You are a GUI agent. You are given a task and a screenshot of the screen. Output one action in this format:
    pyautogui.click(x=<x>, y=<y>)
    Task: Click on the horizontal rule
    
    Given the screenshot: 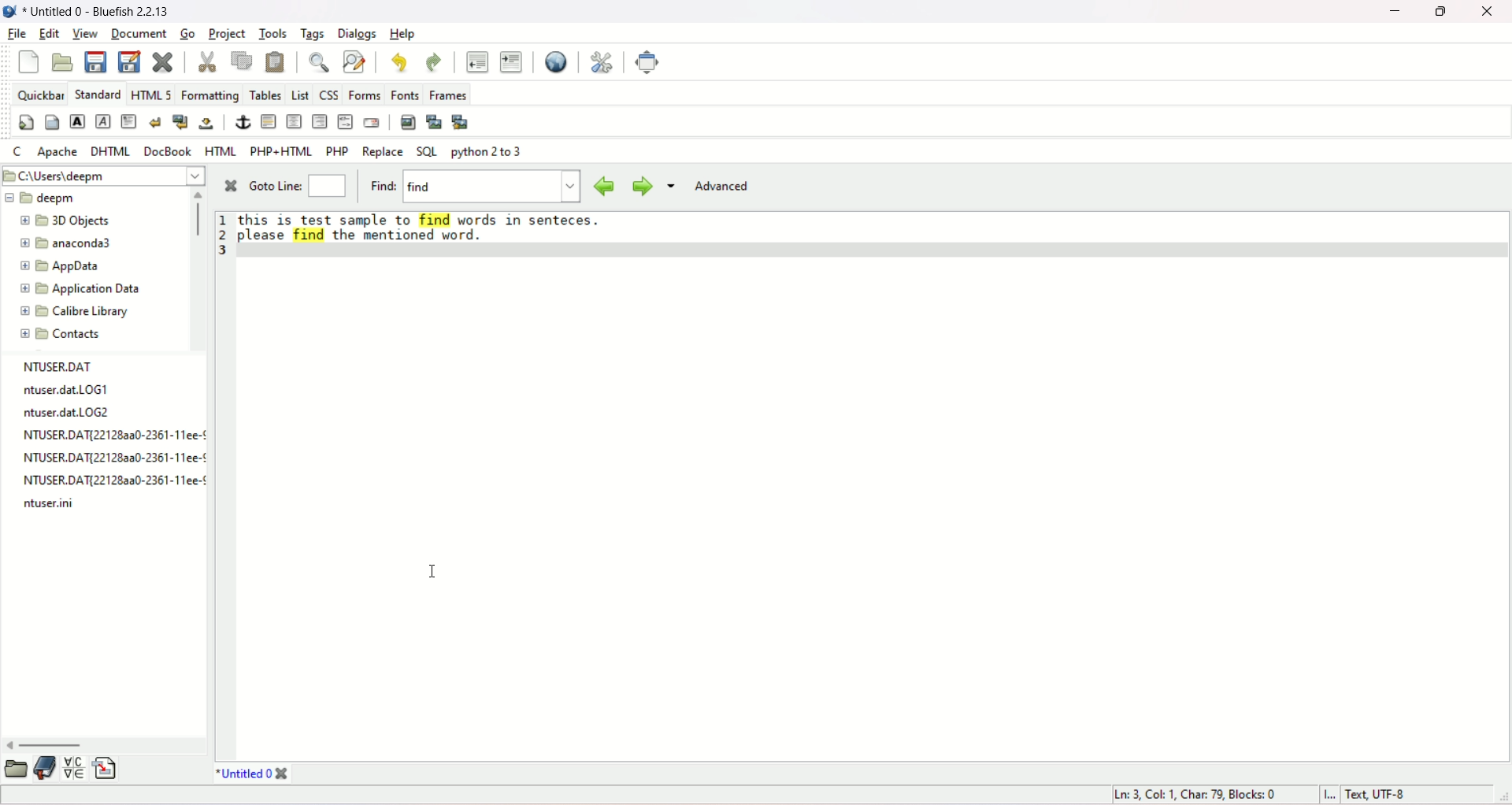 What is the action you would take?
    pyautogui.click(x=268, y=121)
    